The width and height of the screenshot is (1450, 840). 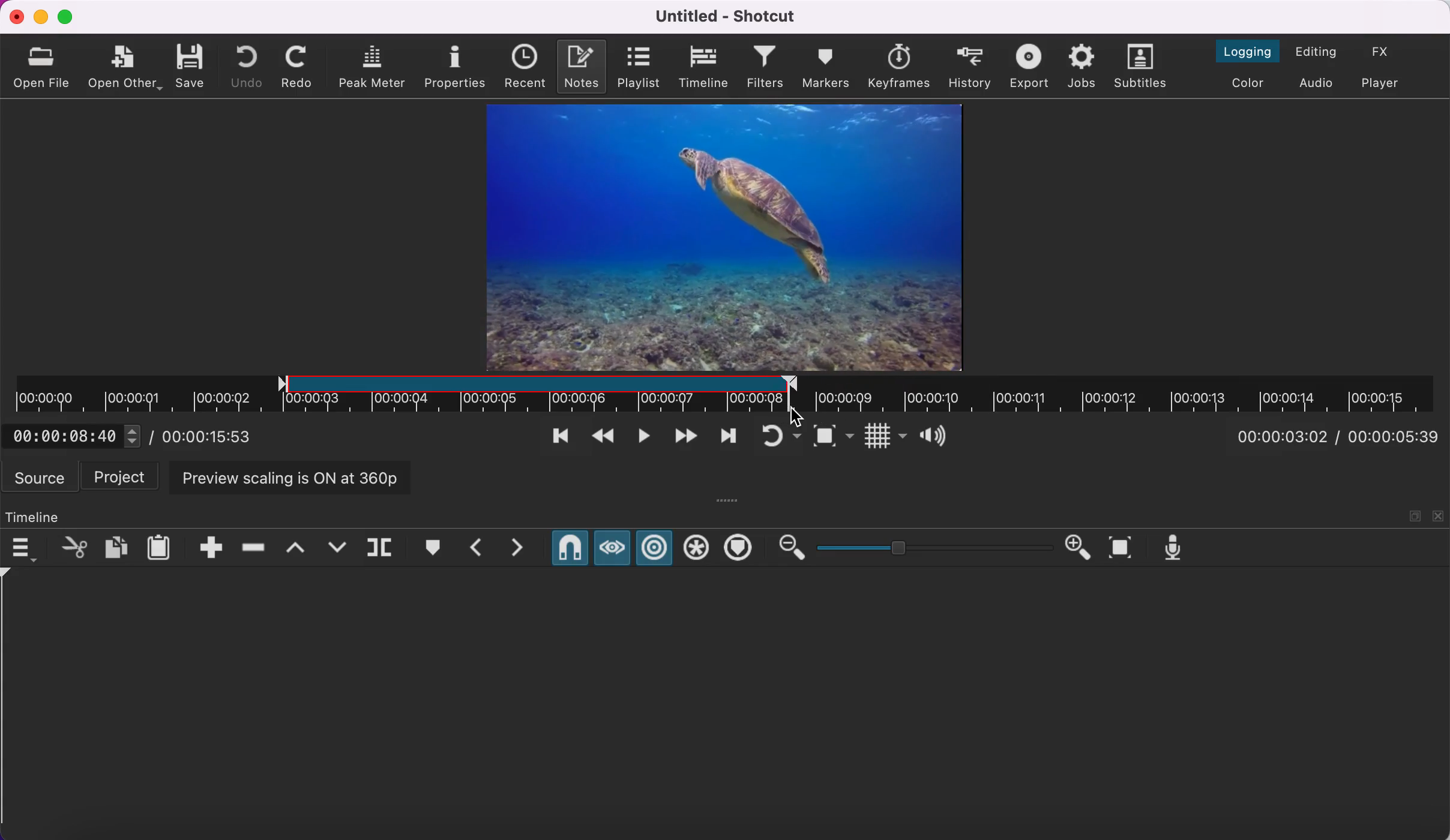 I want to click on snap, so click(x=568, y=548).